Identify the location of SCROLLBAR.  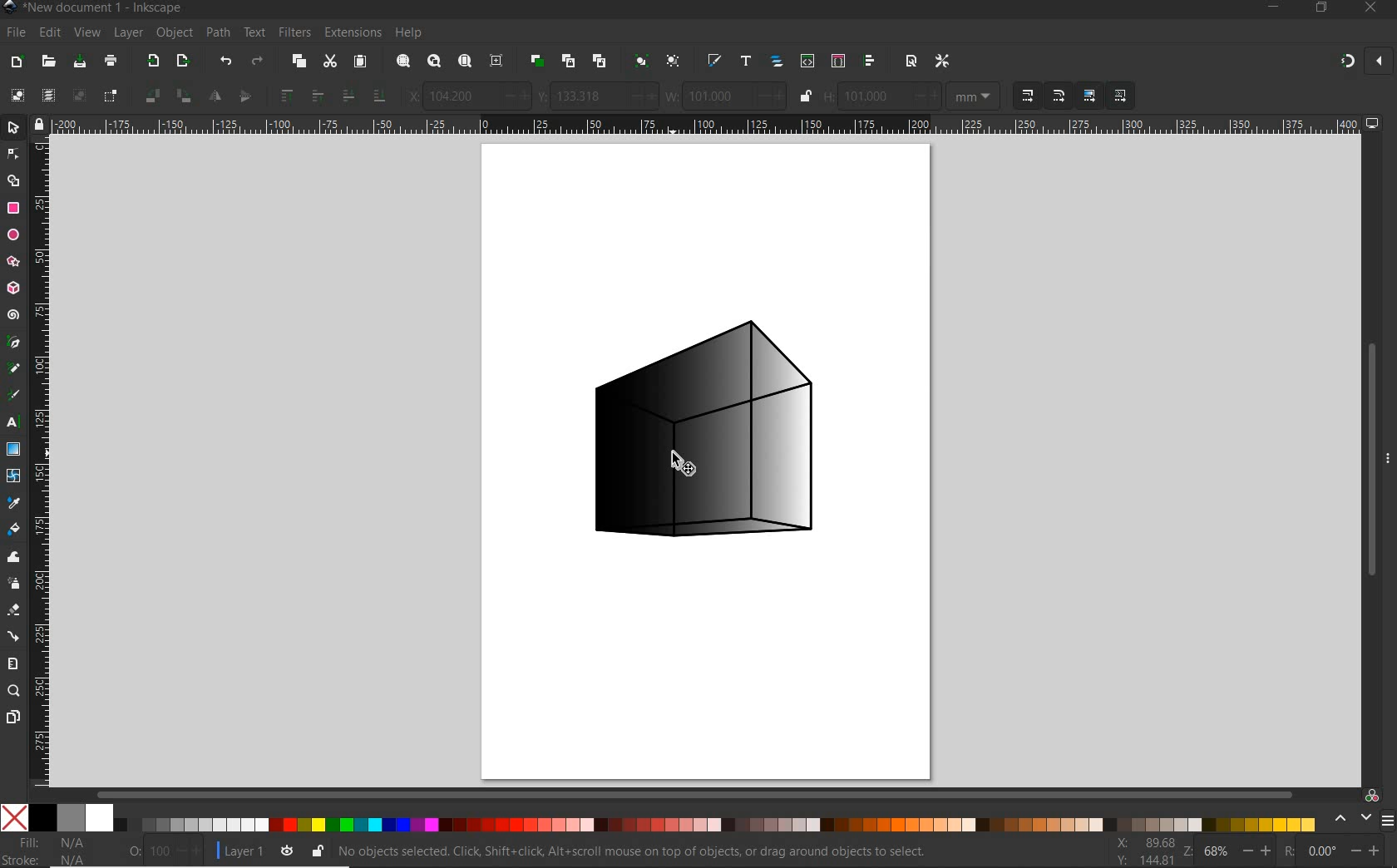
(695, 795).